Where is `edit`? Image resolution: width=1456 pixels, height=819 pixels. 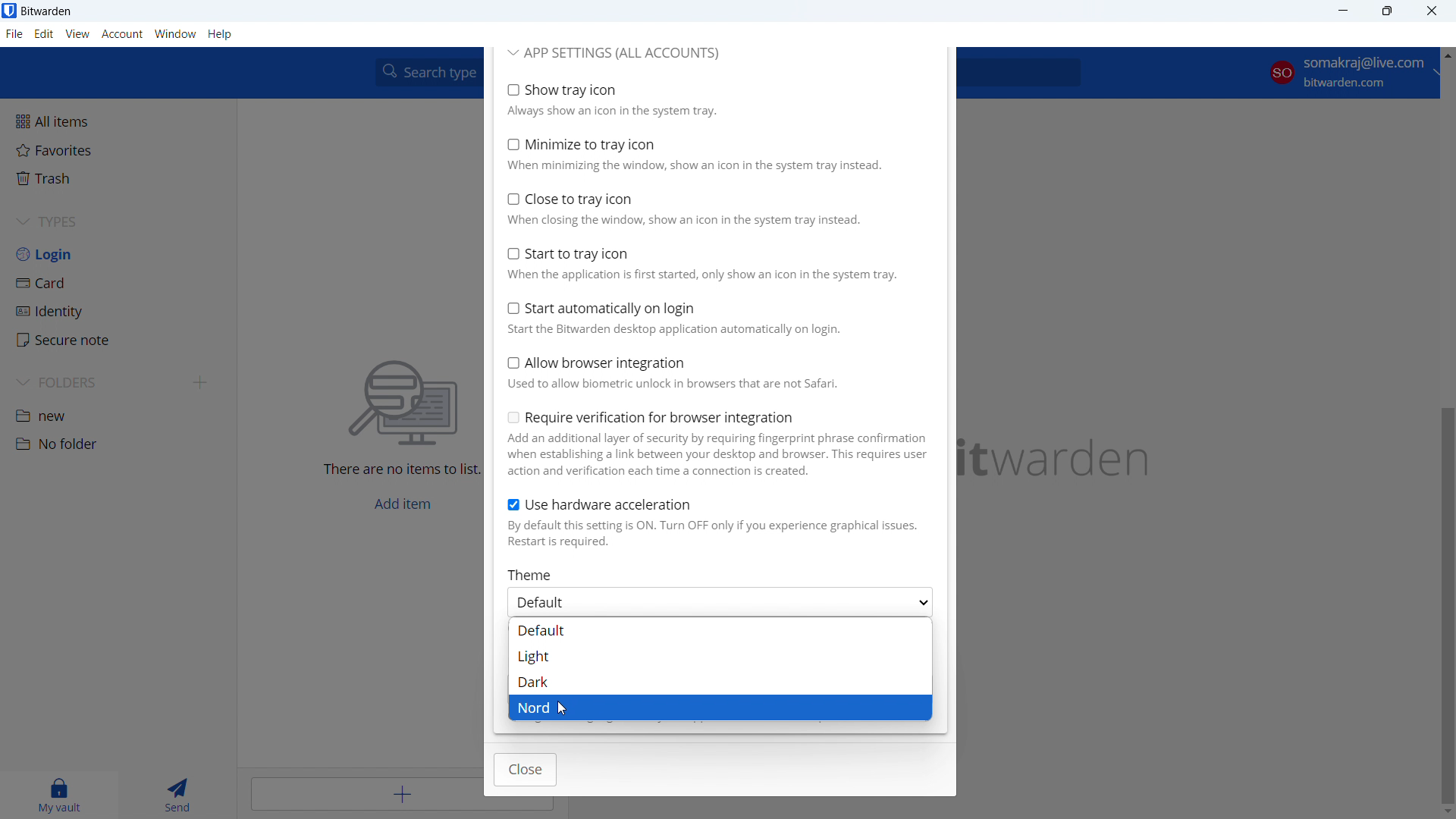 edit is located at coordinates (45, 34).